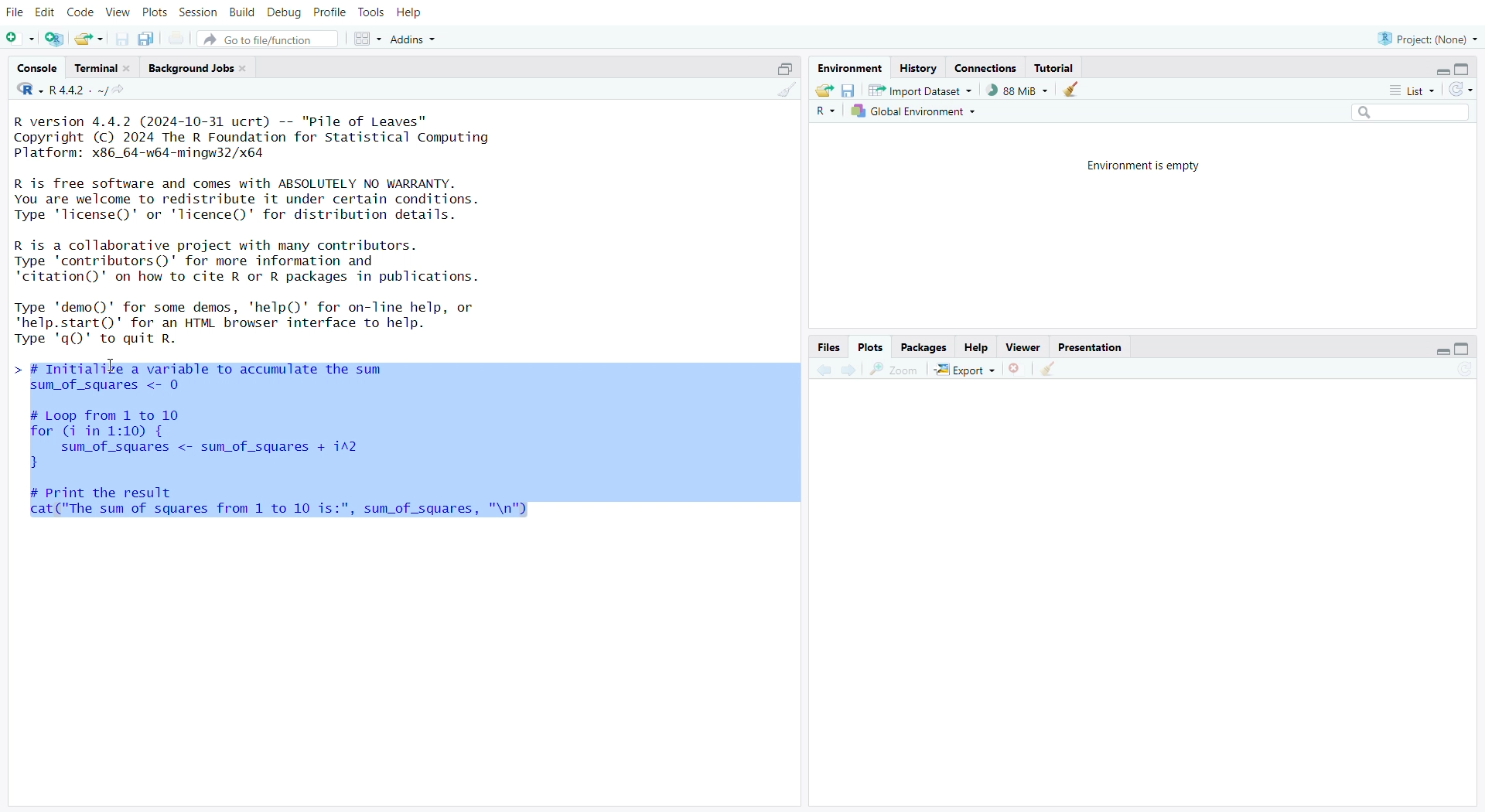 The height and width of the screenshot is (812, 1485). Describe the element at coordinates (18, 12) in the screenshot. I see `file` at that location.